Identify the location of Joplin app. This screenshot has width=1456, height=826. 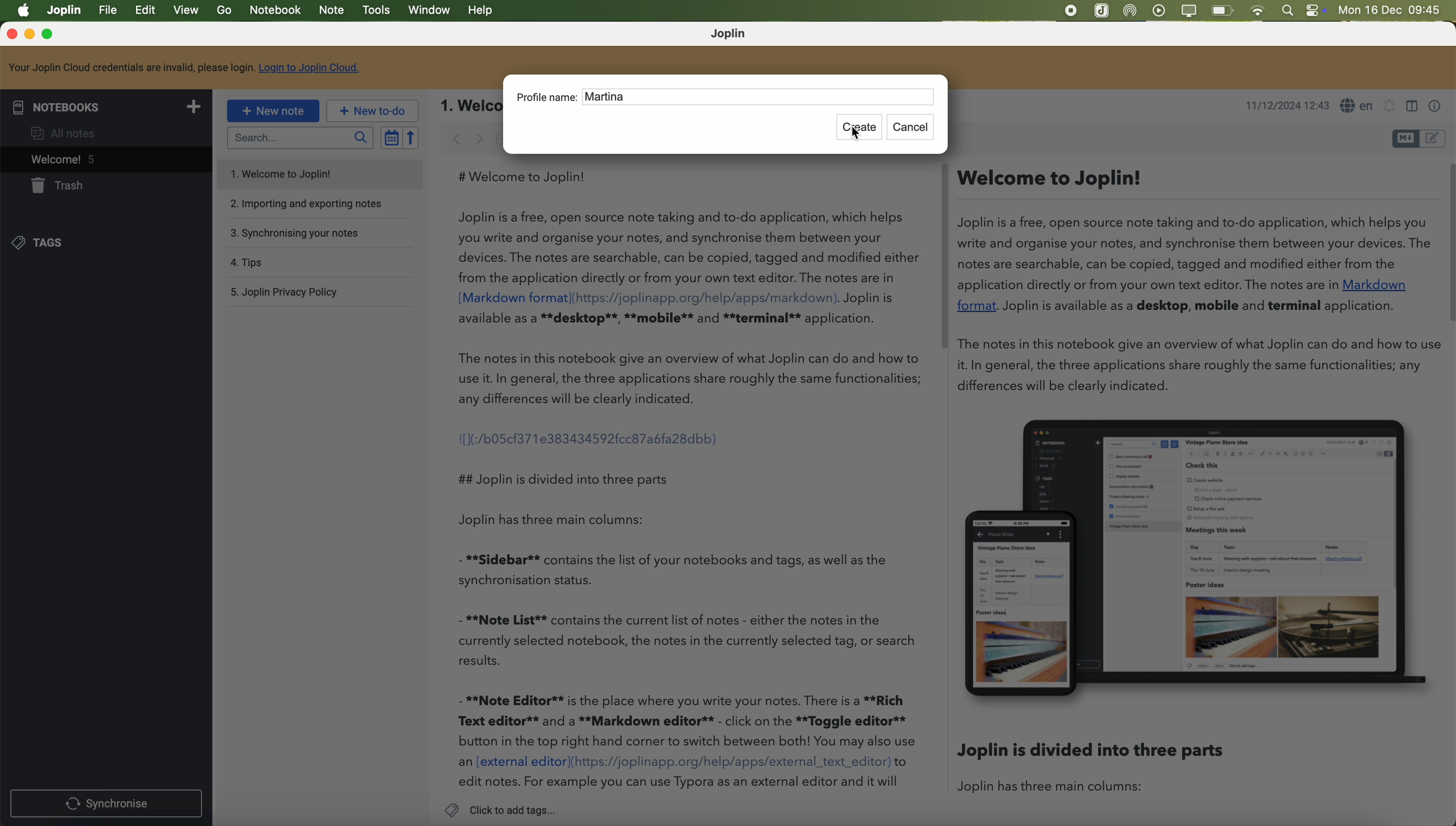
(1102, 12).